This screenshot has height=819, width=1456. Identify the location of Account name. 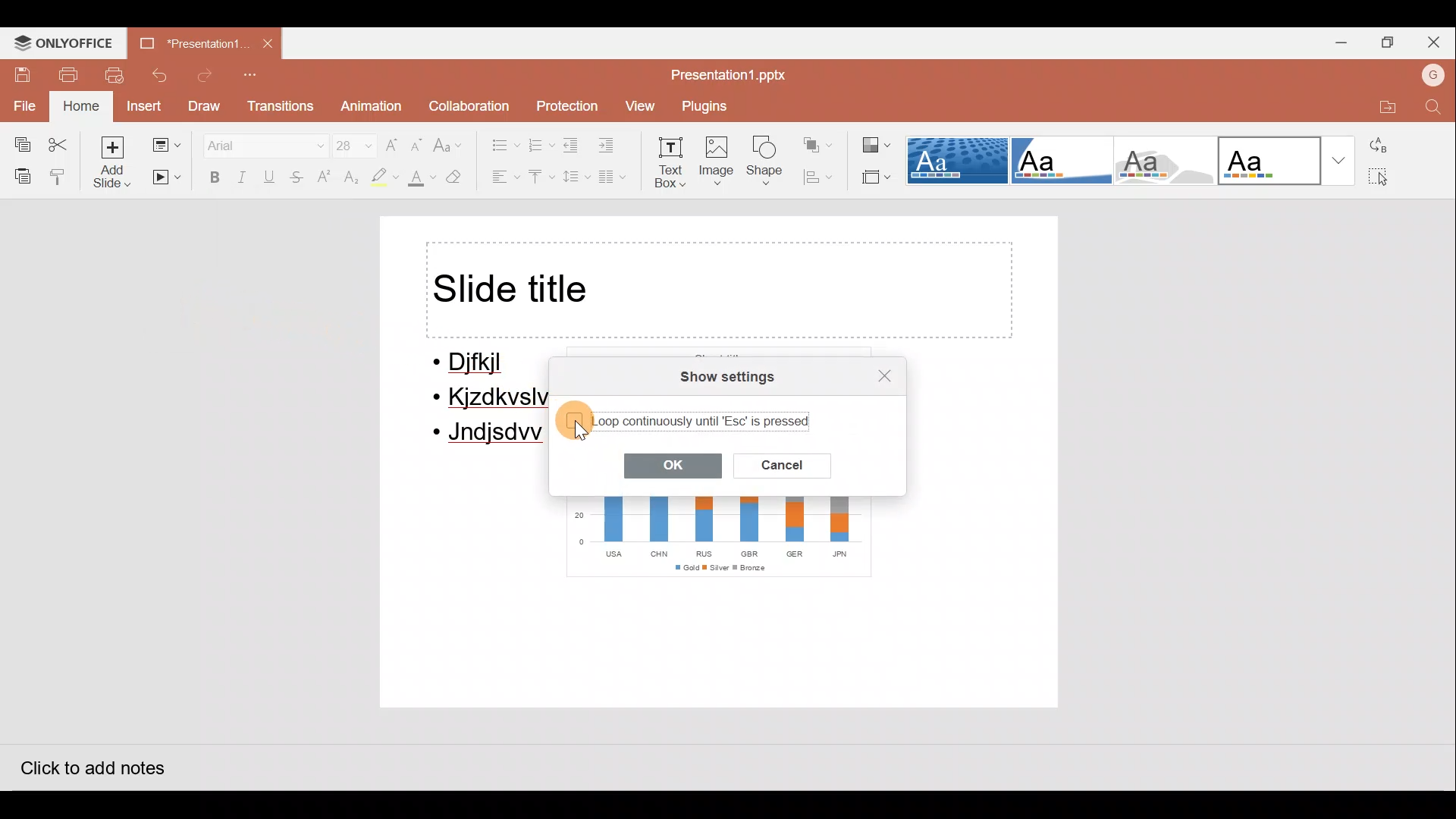
(1432, 77).